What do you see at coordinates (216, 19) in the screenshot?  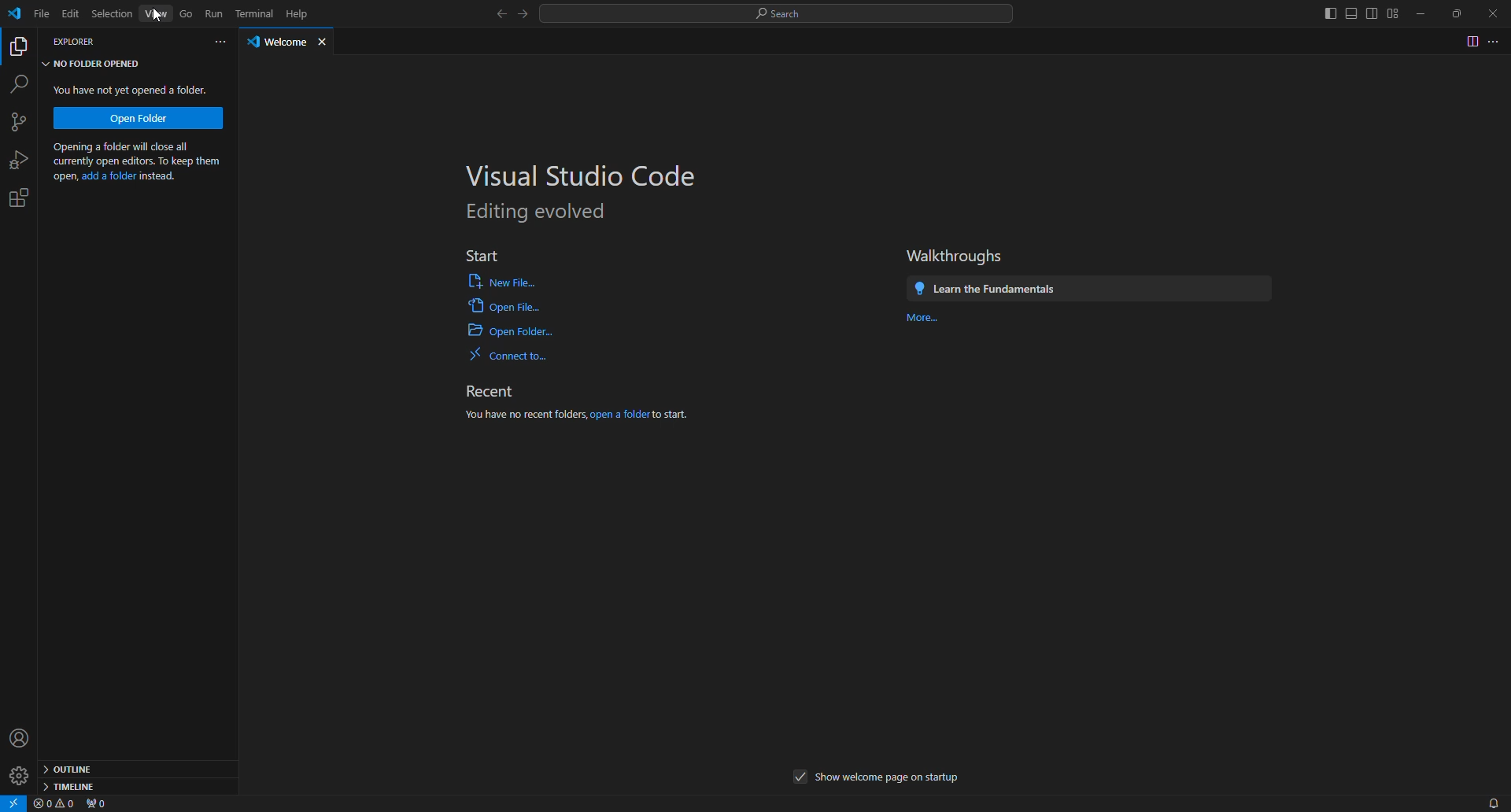 I see `Run` at bounding box center [216, 19].